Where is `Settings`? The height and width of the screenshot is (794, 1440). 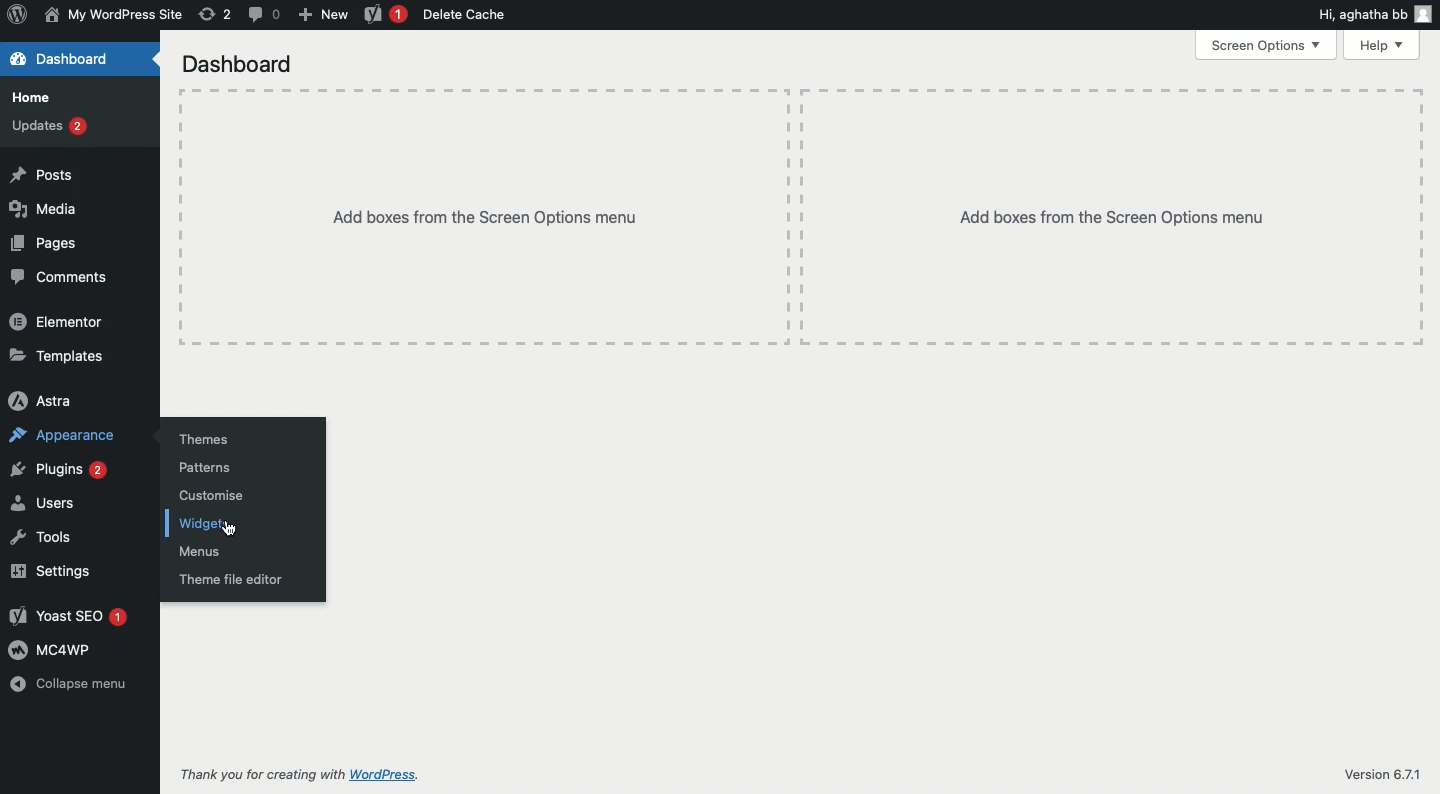
Settings is located at coordinates (51, 571).